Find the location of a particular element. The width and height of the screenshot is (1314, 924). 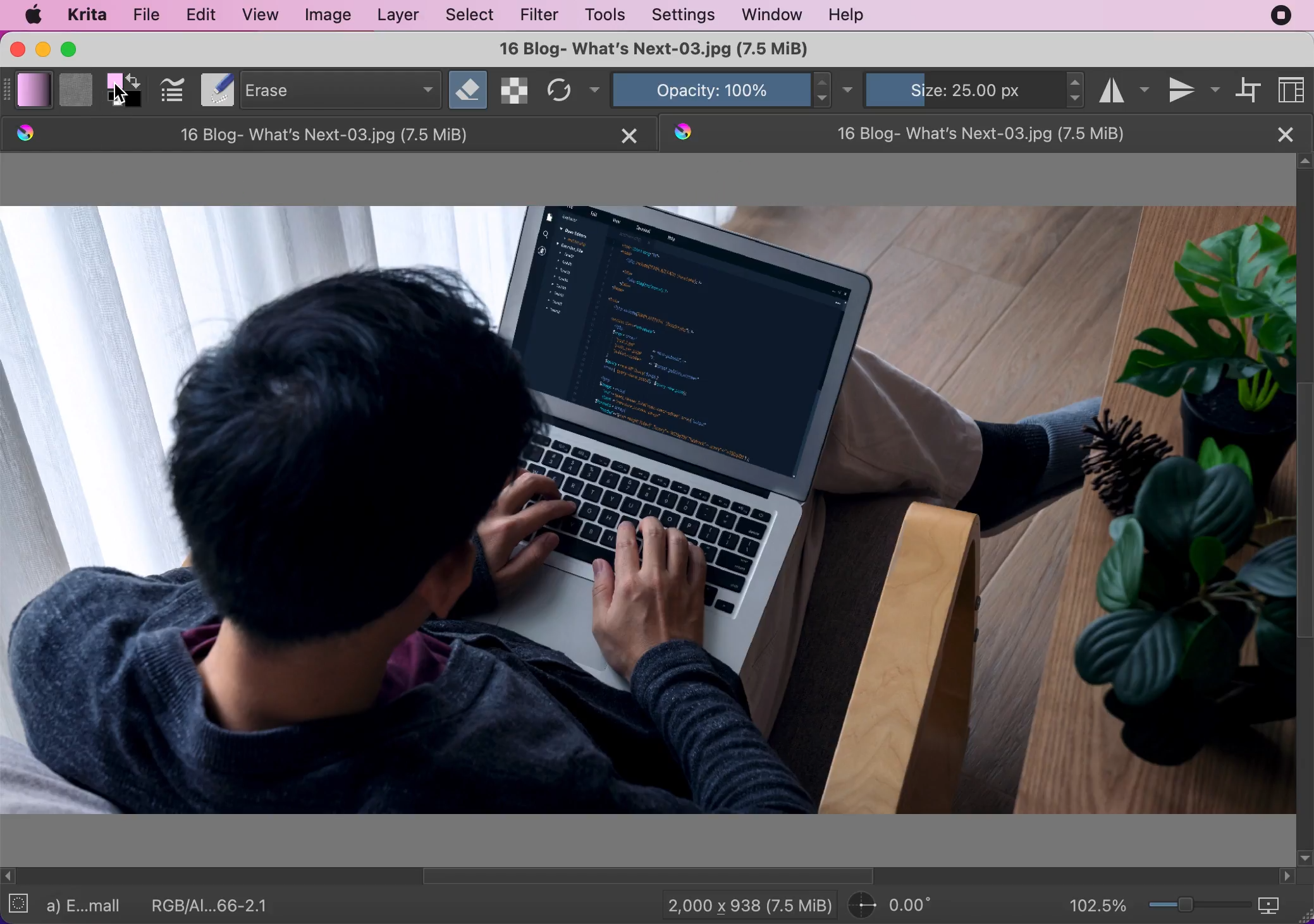

settings is located at coordinates (684, 15).